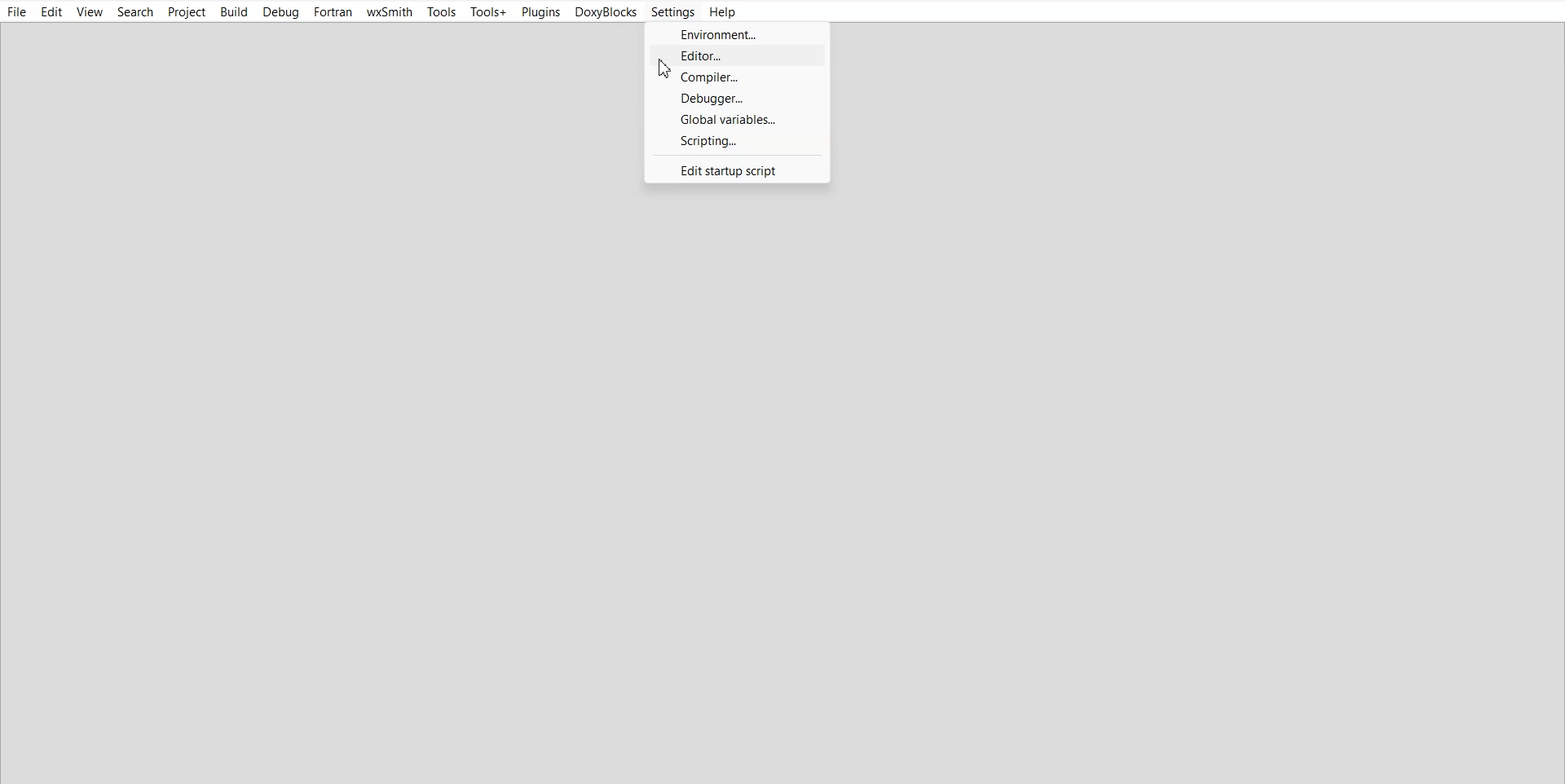 This screenshot has width=1565, height=784. I want to click on DoxyBlocks, so click(606, 11).